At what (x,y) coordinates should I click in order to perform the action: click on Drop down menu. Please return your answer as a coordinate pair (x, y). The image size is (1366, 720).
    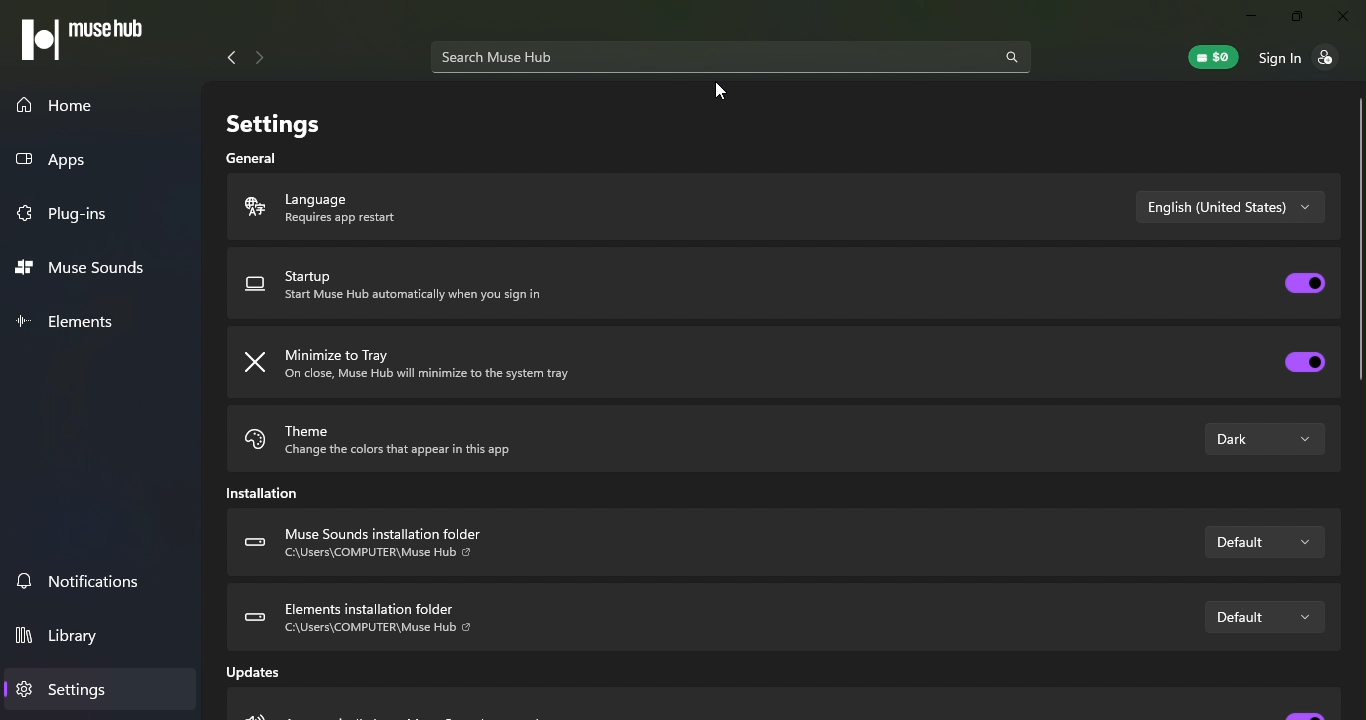
    Looking at the image, I should click on (1262, 616).